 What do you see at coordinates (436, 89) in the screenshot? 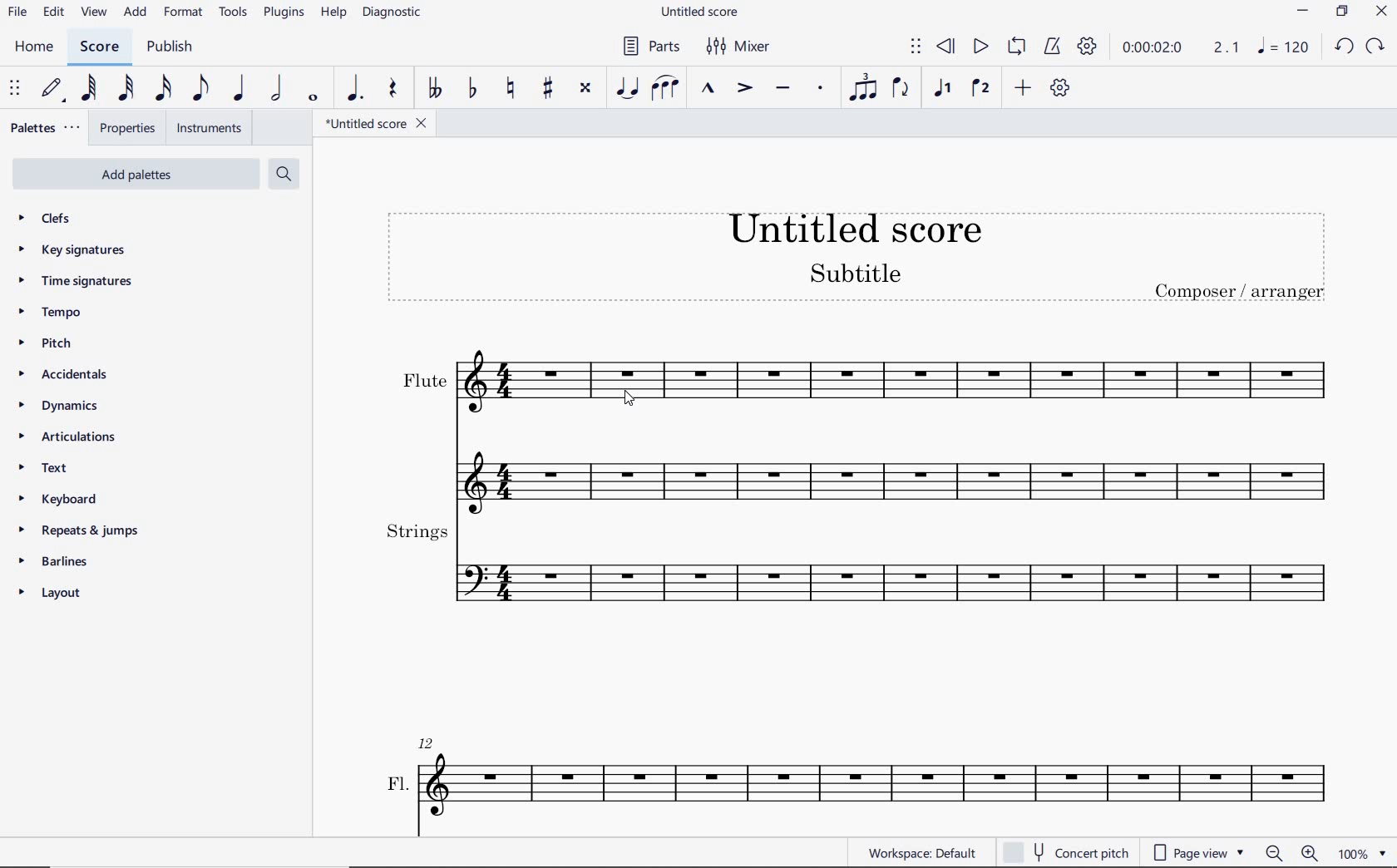
I see `TOGGLE DOUBLE-FLAT` at bounding box center [436, 89].